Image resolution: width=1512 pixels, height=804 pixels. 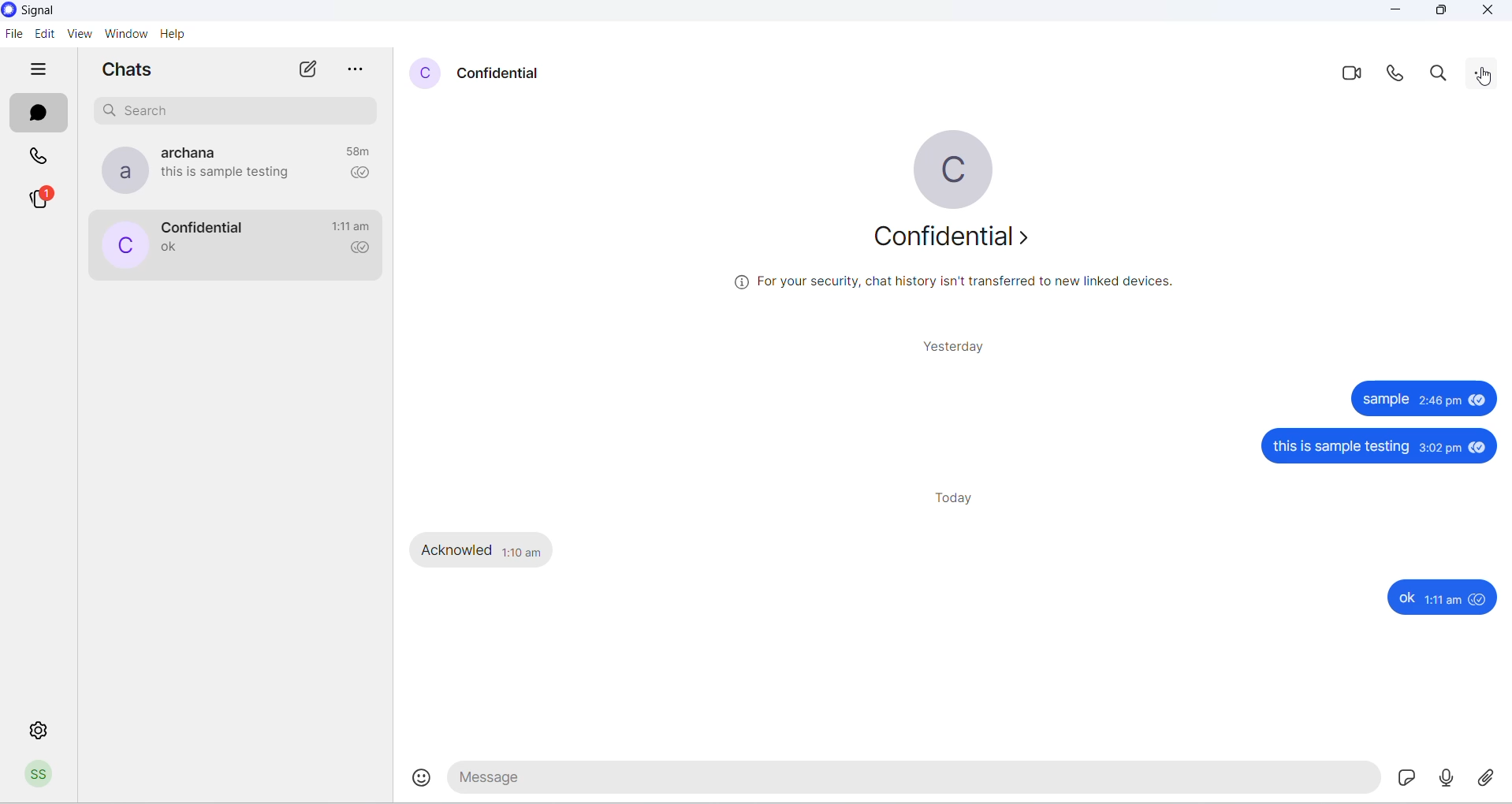 What do you see at coordinates (170, 248) in the screenshot?
I see `last message` at bounding box center [170, 248].